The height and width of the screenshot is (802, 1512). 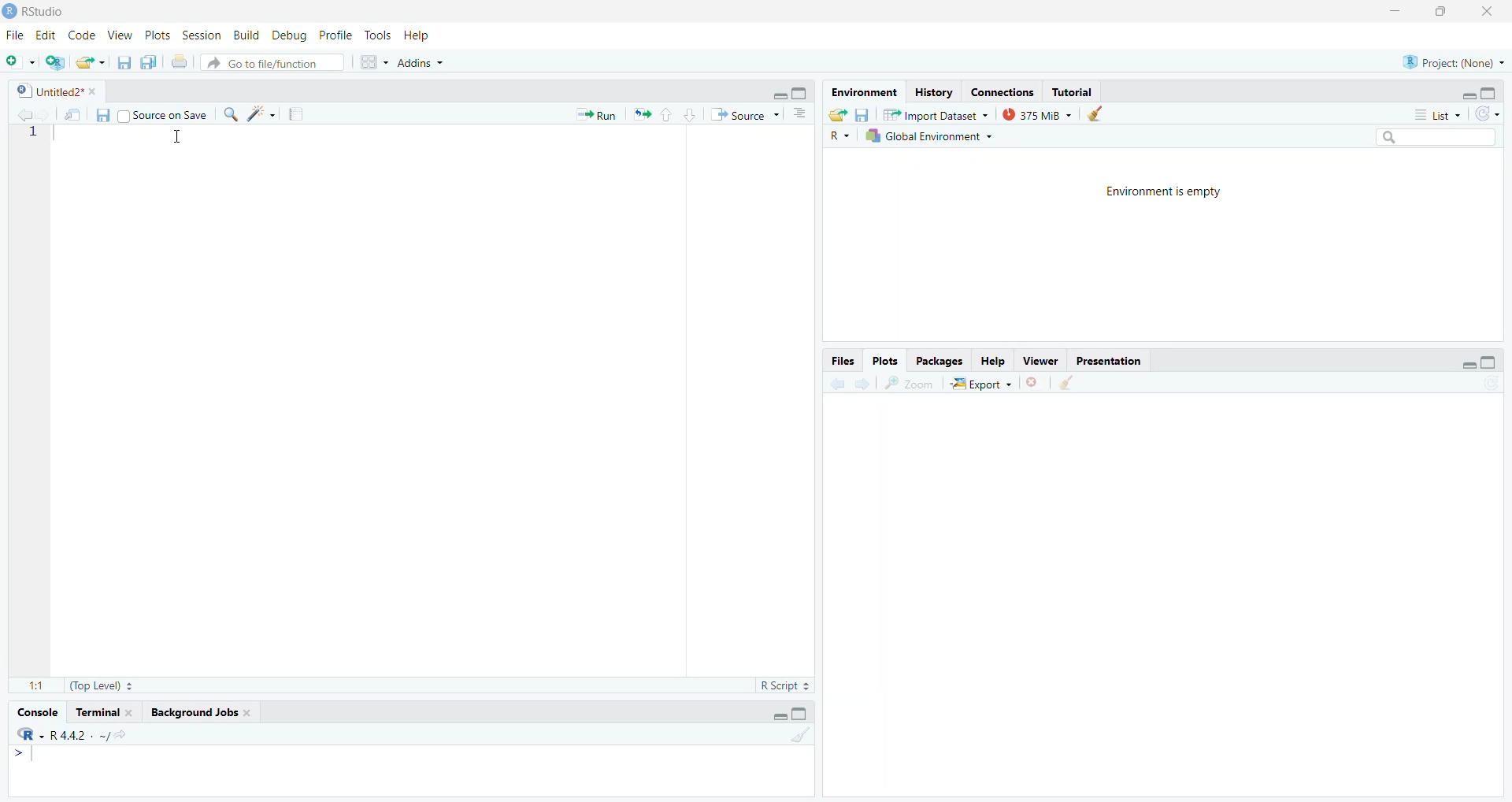 I want to click on Environment is empty, so click(x=1166, y=195).